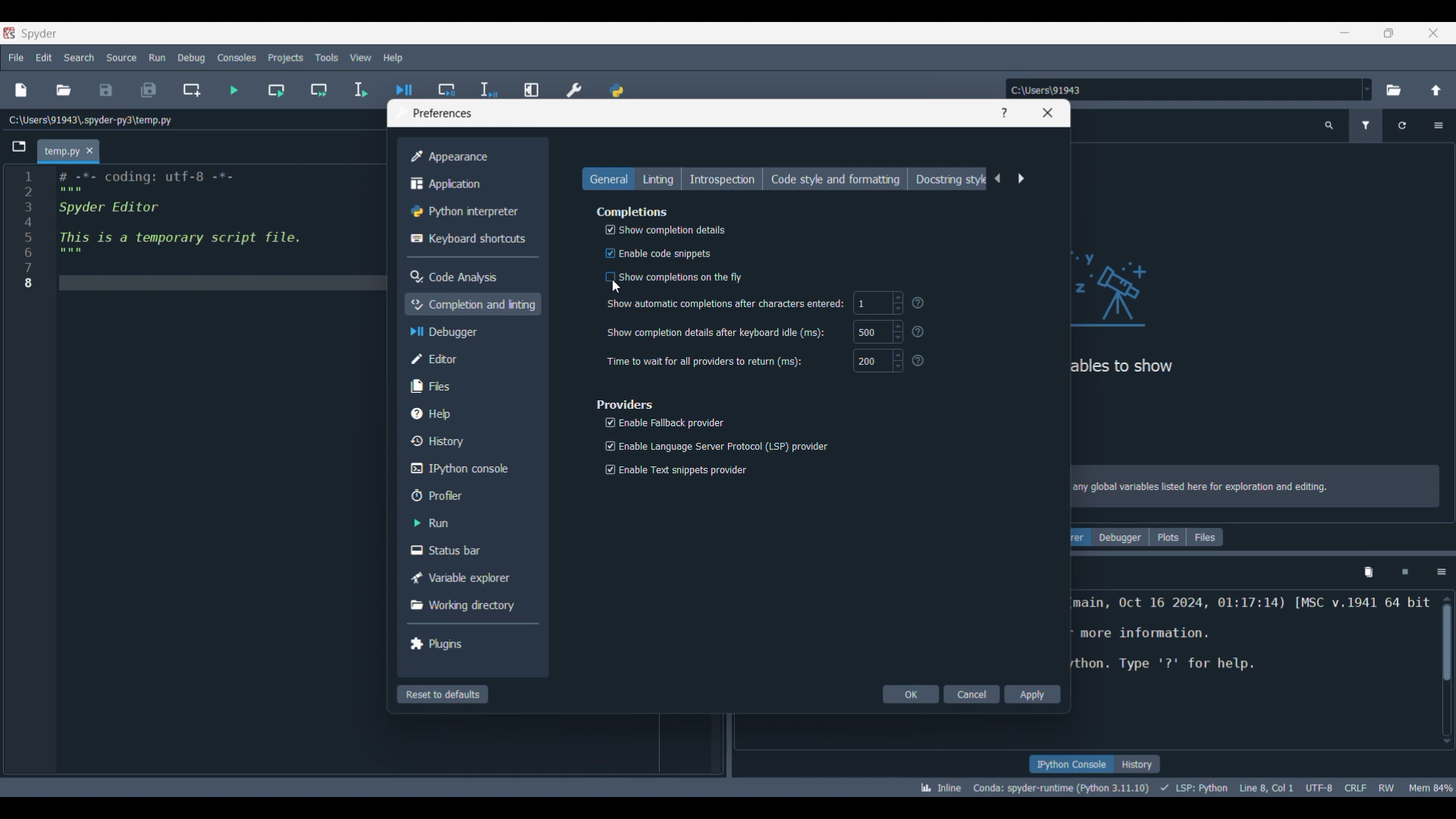 This screenshot has width=1456, height=819. I want to click on Apply, so click(1033, 694).